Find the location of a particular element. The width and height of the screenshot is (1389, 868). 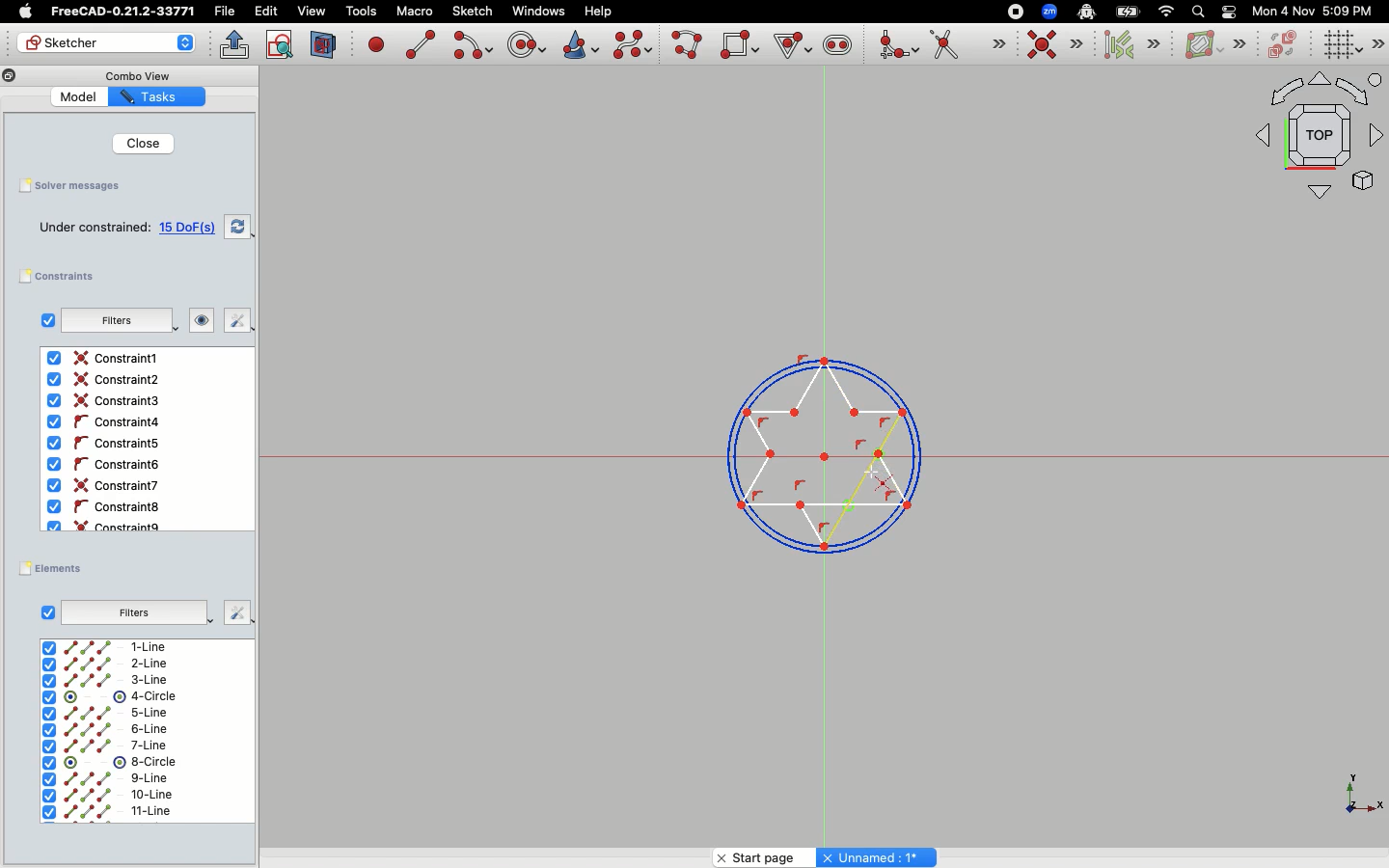

Constraint6 is located at coordinates (108, 485).